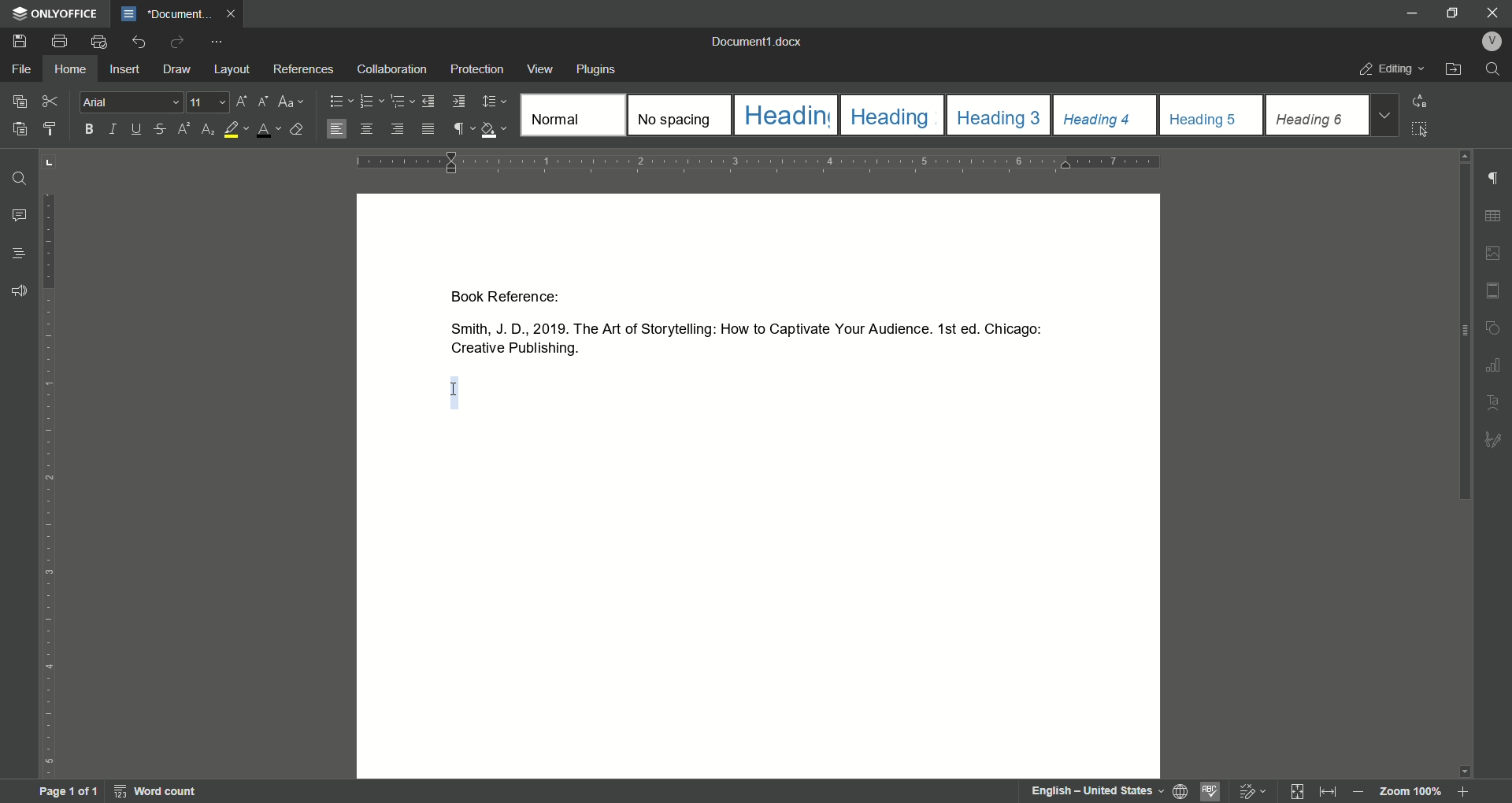  I want to click on table, so click(1494, 215).